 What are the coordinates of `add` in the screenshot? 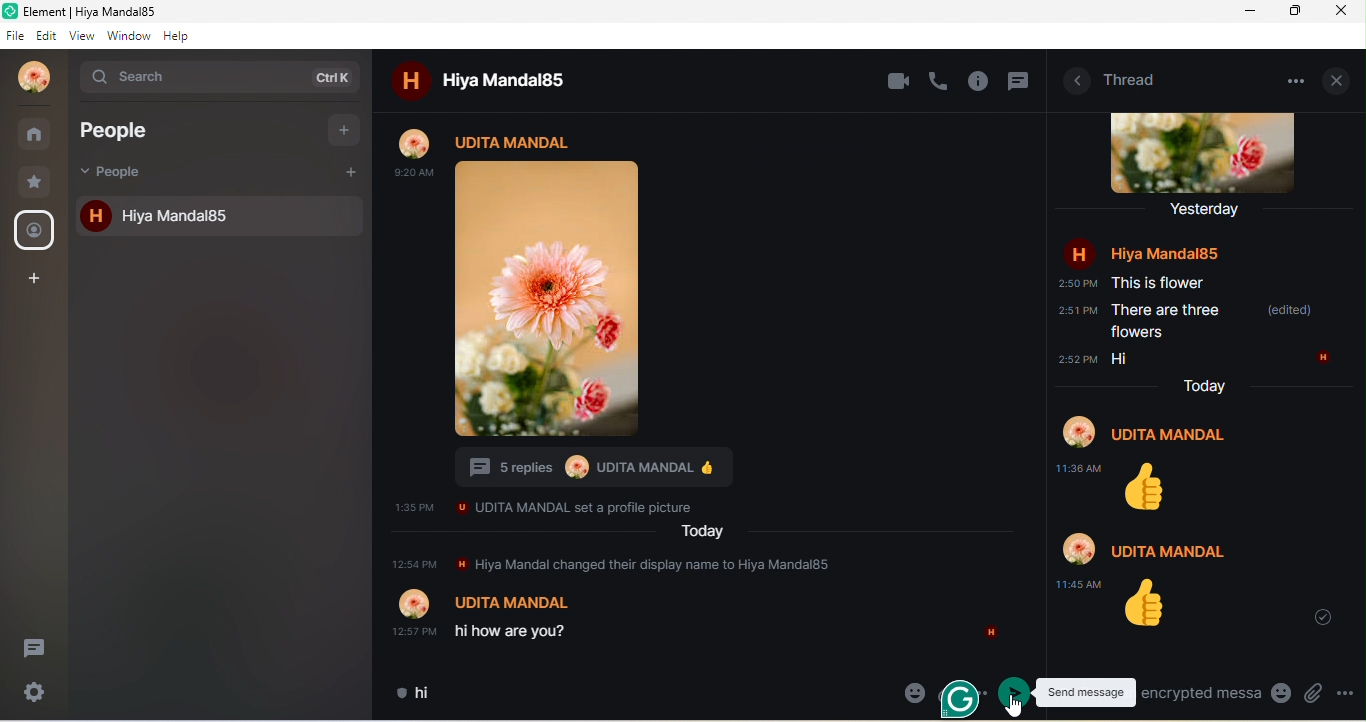 It's located at (351, 170).